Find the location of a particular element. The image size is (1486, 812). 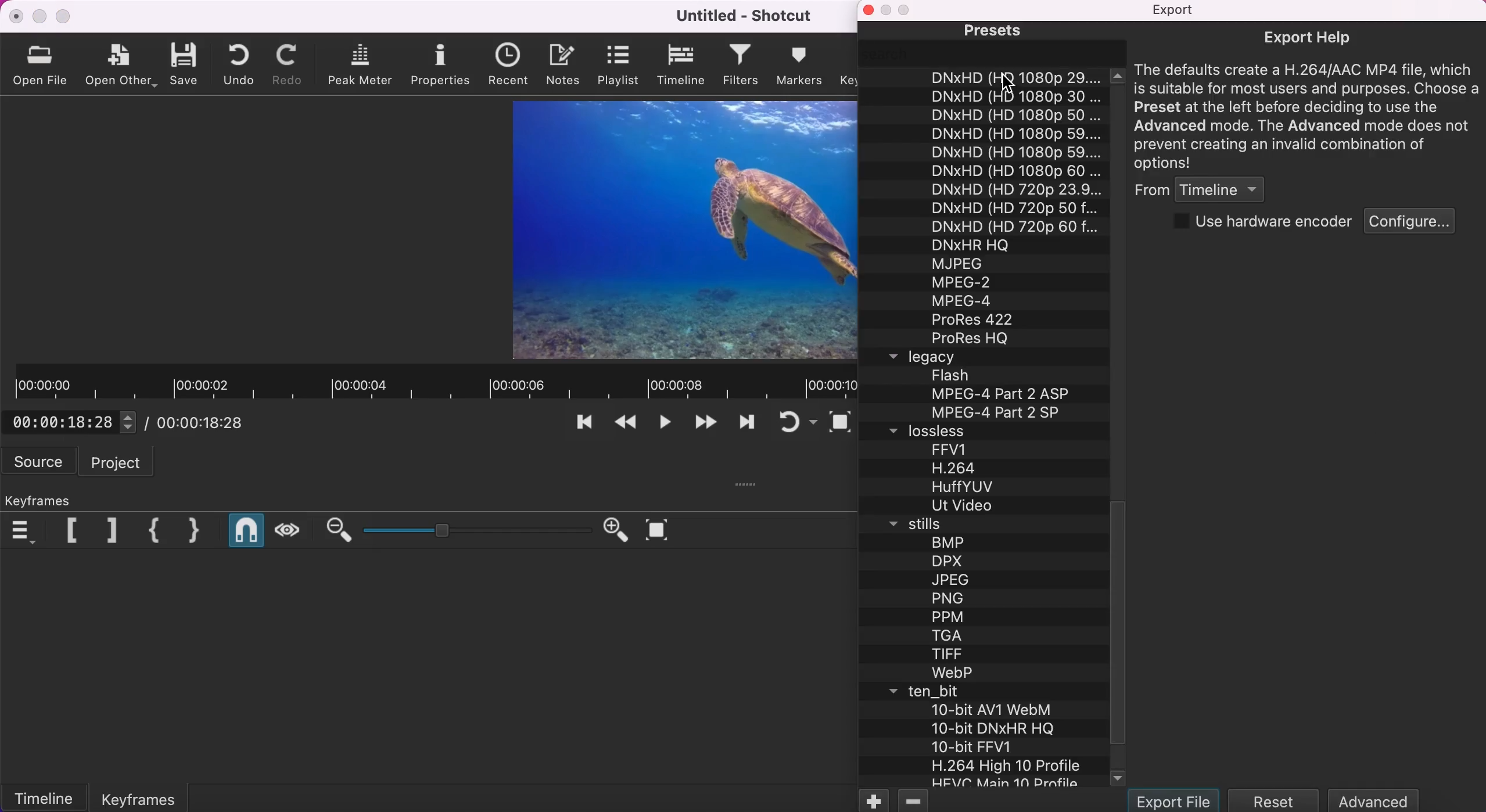

skip to the previous point is located at coordinates (588, 425).